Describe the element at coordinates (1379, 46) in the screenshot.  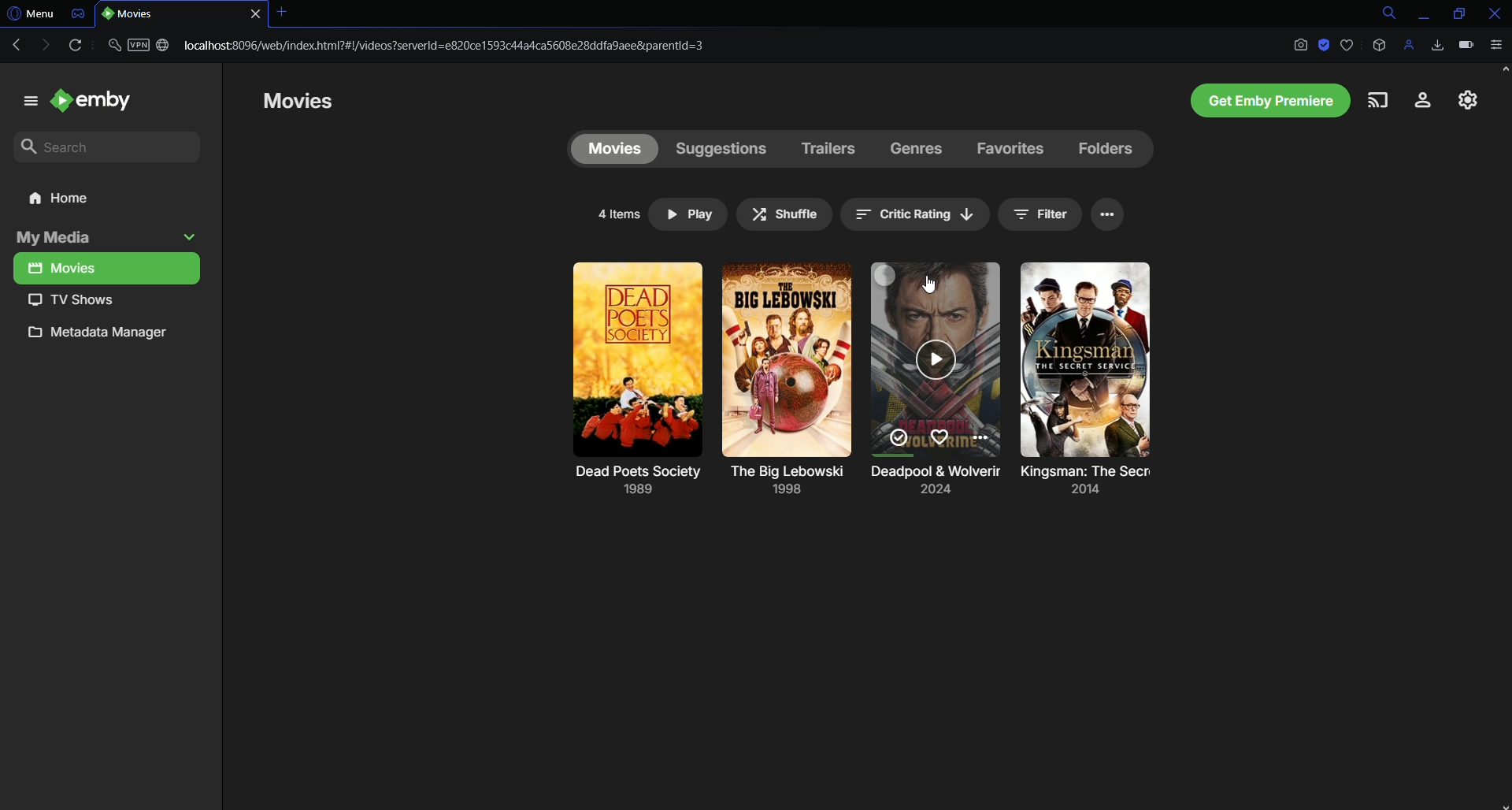
I see `Extensions` at that location.